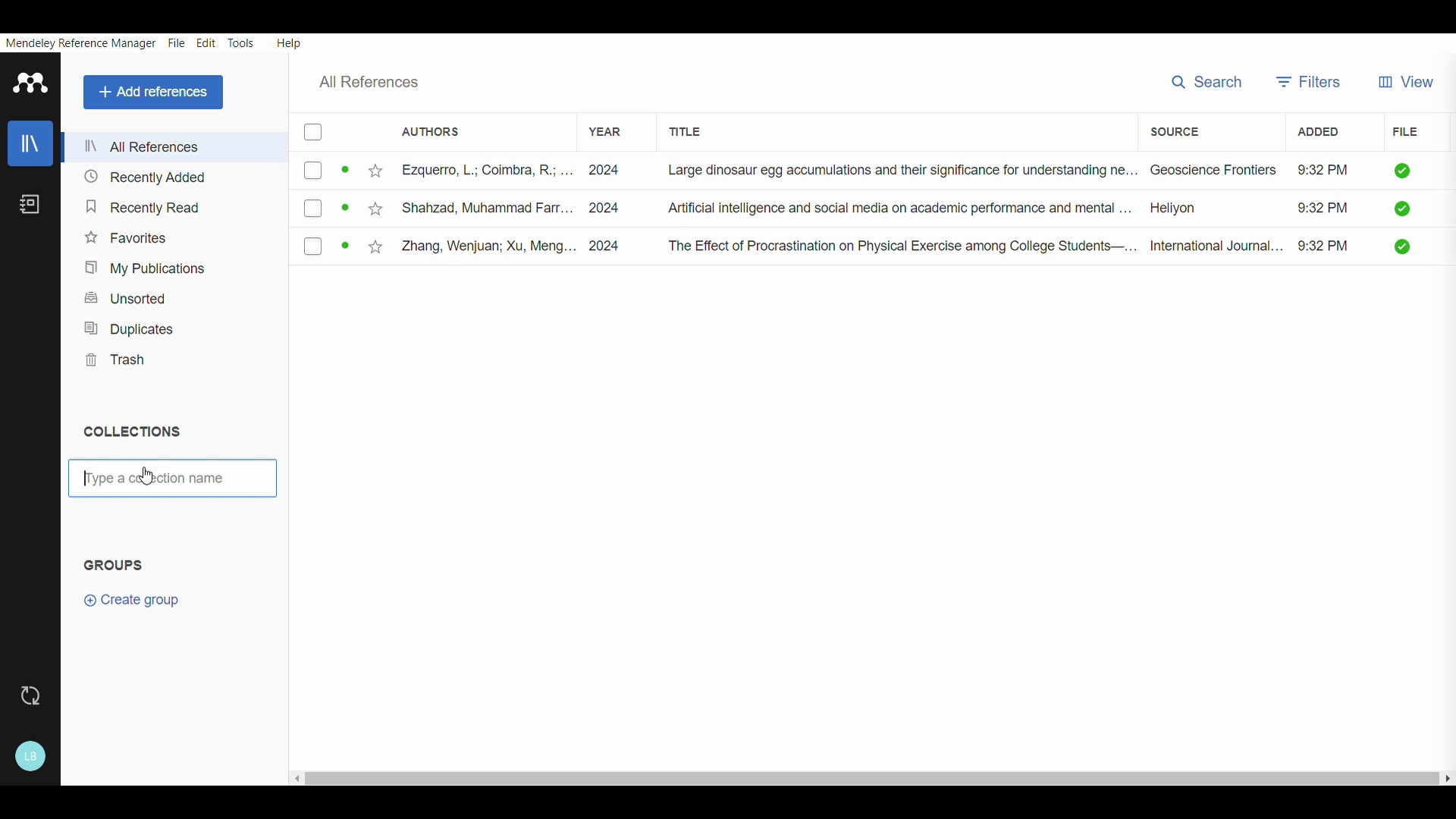 The width and height of the screenshot is (1456, 819). Describe the element at coordinates (30, 697) in the screenshot. I see `Sync` at that location.